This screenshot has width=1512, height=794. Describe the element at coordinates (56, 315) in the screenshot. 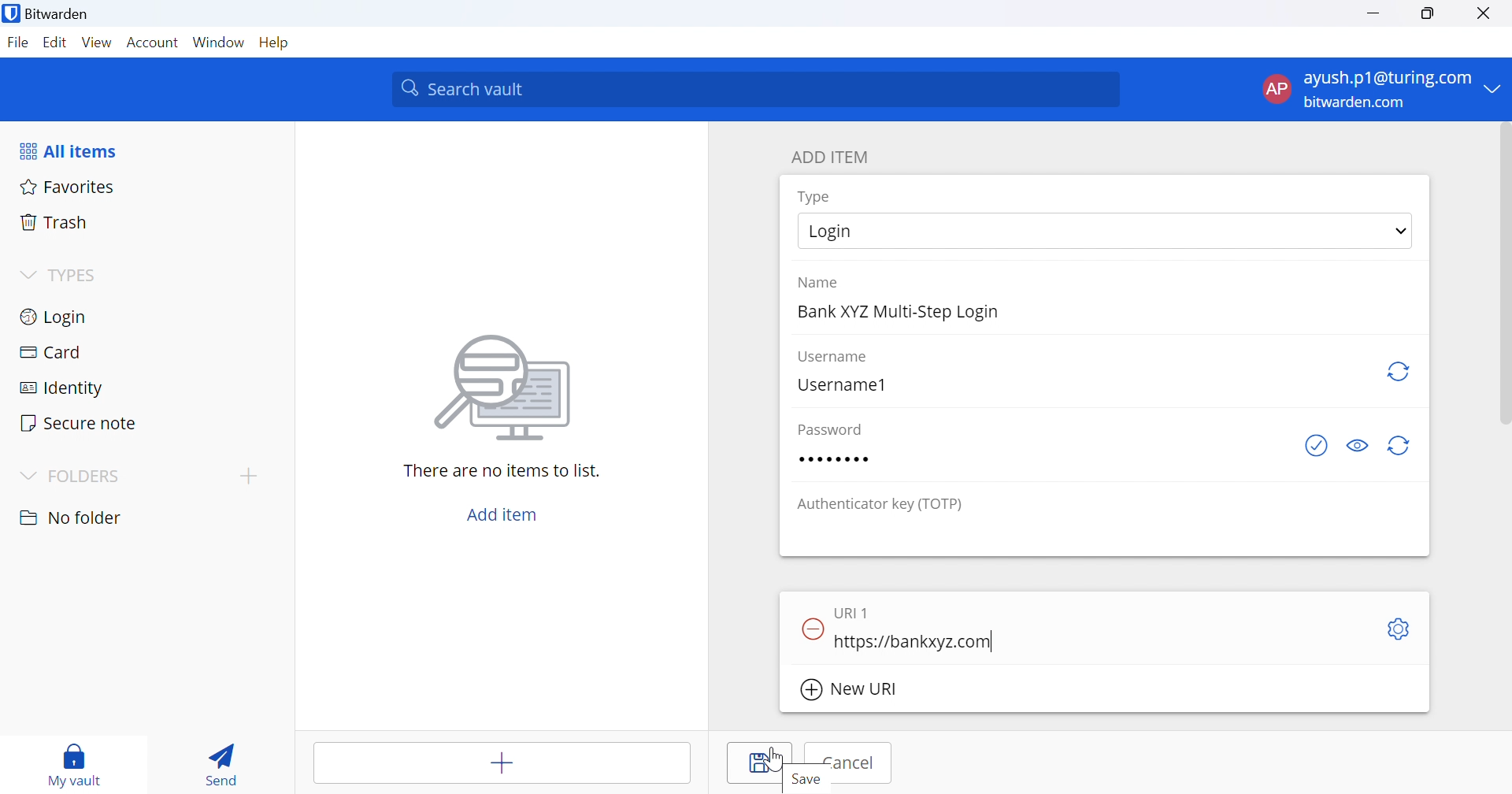

I see `Login` at that location.